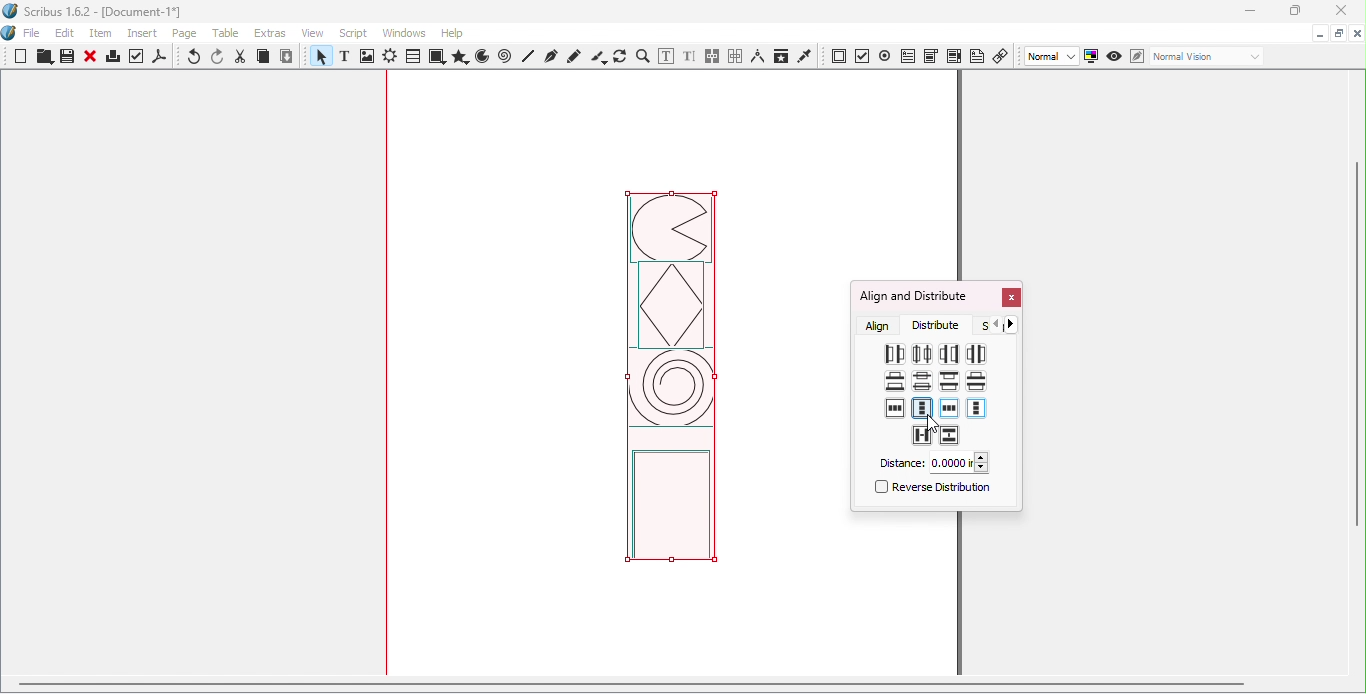  Describe the element at coordinates (32, 34) in the screenshot. I see `File` at that location.